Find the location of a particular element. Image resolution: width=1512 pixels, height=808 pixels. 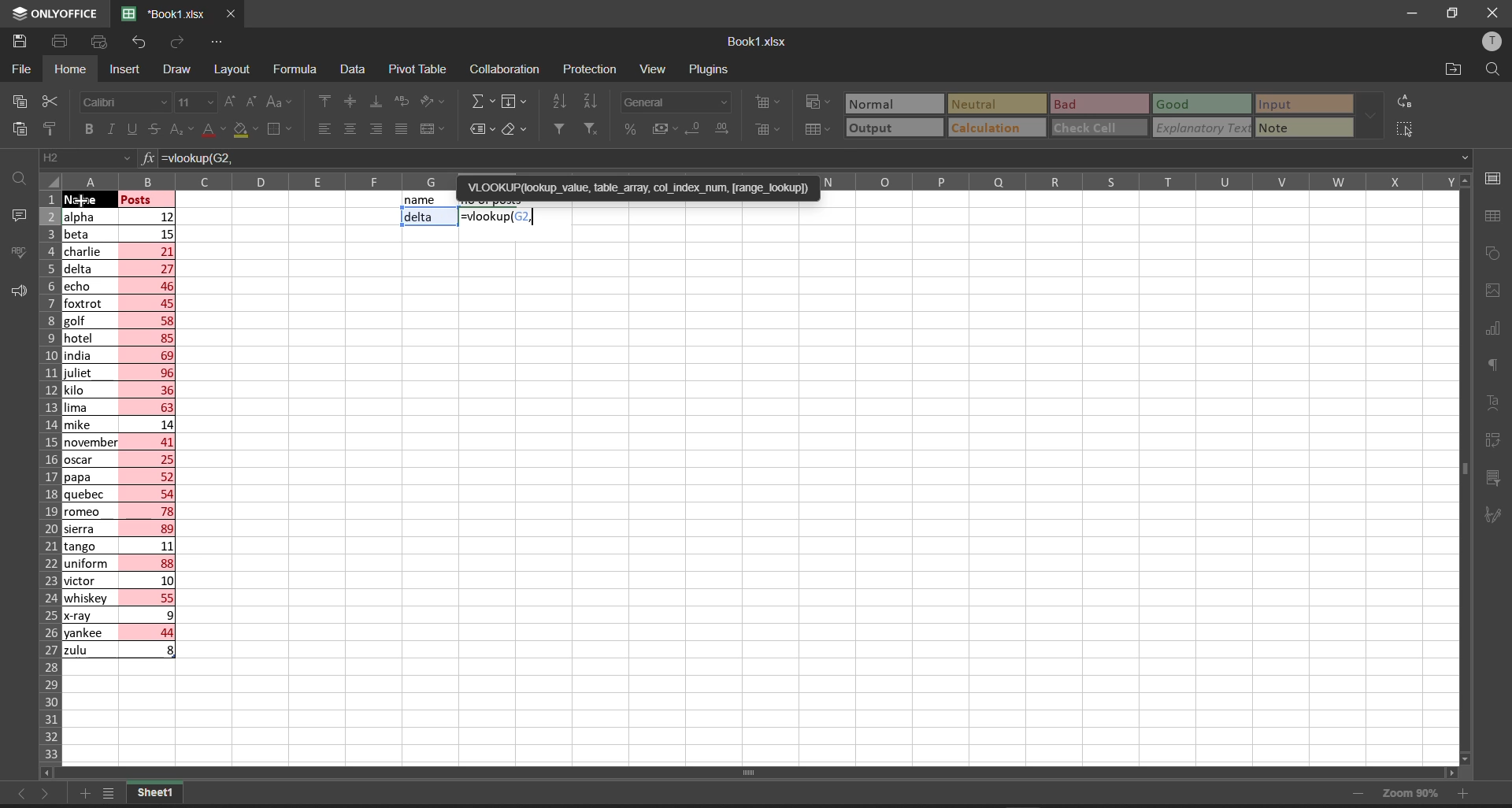

scrollleft is located at coordinates (52, 773).